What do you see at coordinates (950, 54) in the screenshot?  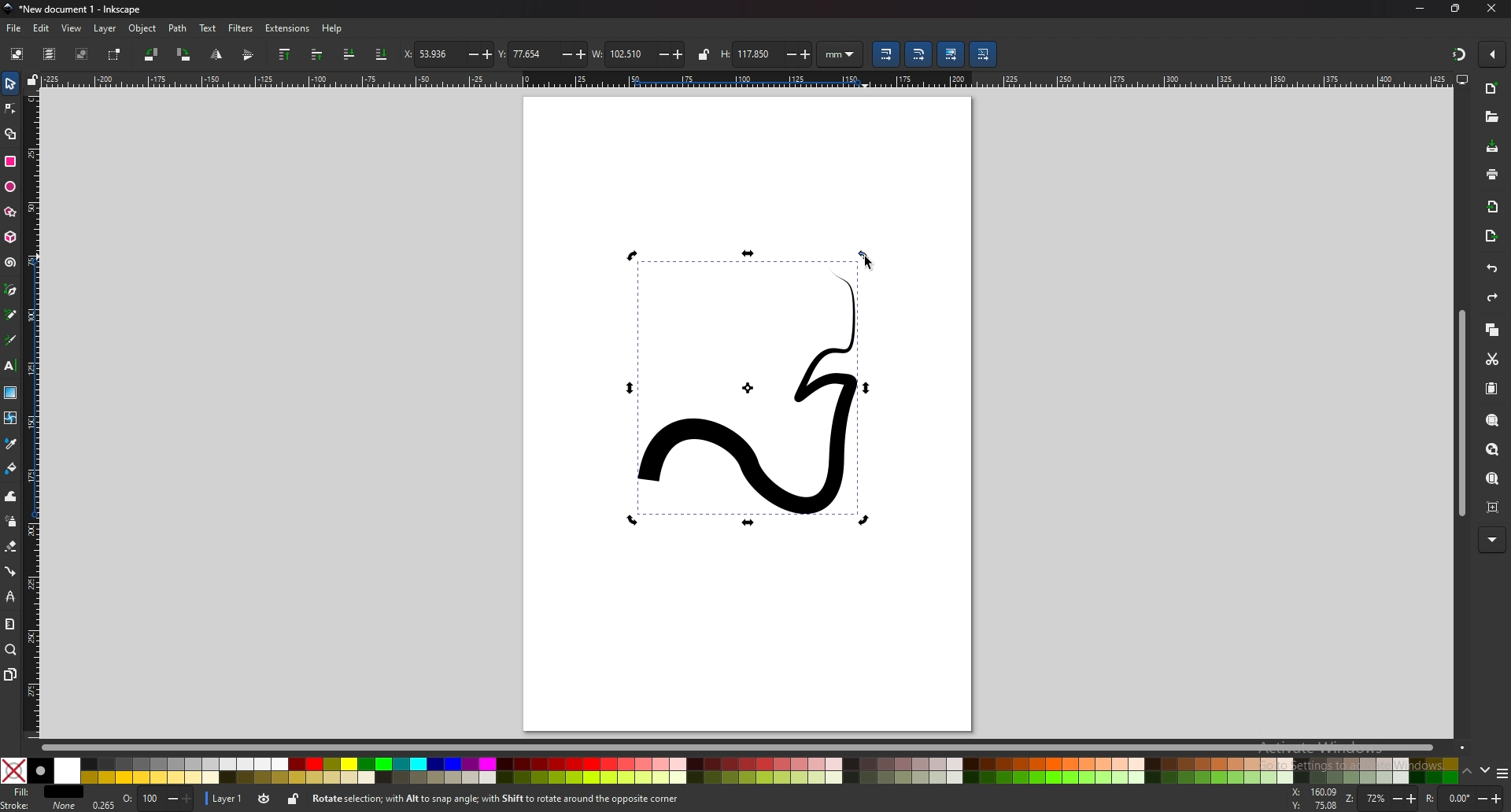 I see `move gradient` at bounding box center [950, 54].